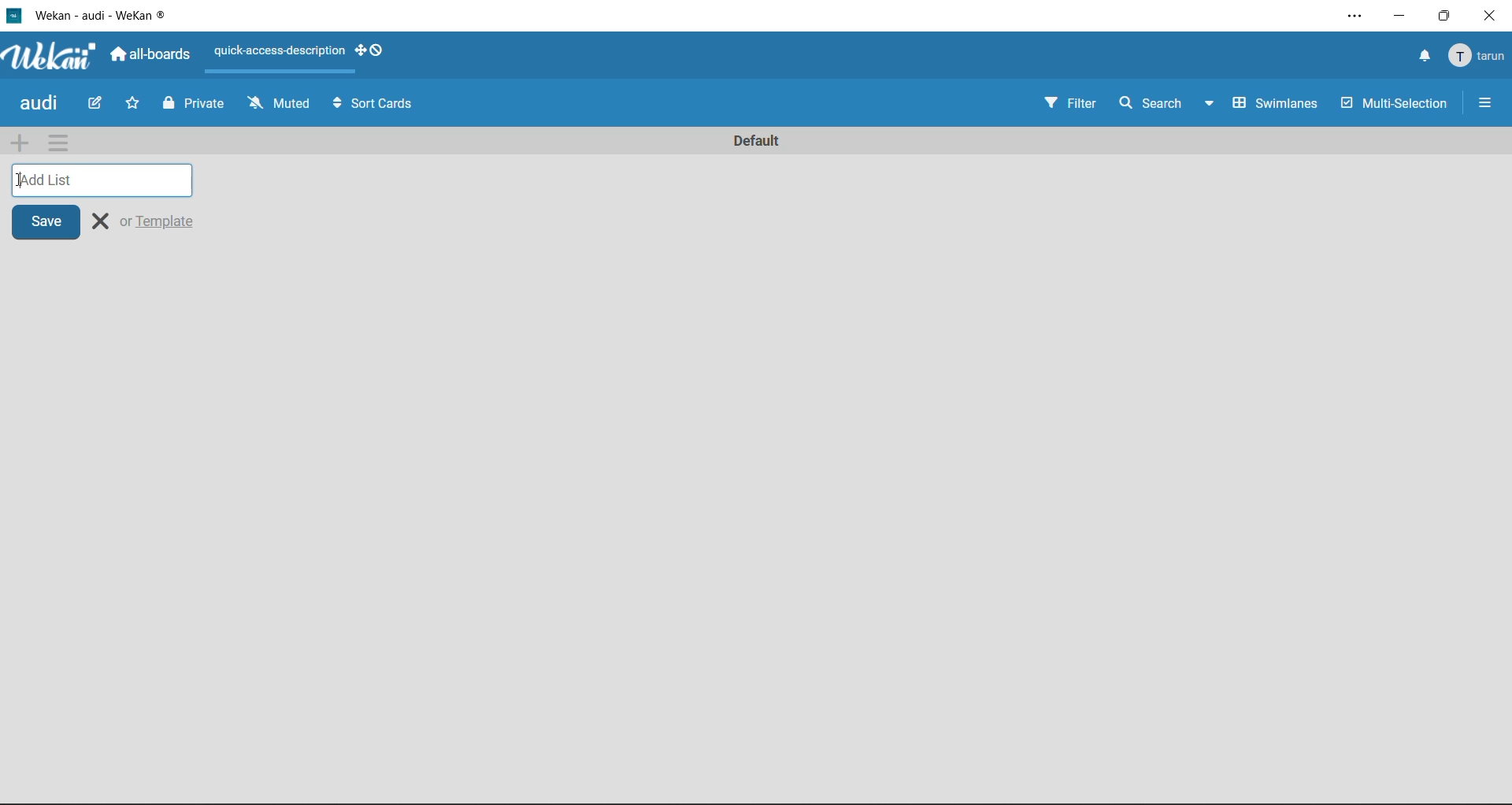  Describe the element at coordinates (100, 222) in the screenshot. I see `close` at that location.